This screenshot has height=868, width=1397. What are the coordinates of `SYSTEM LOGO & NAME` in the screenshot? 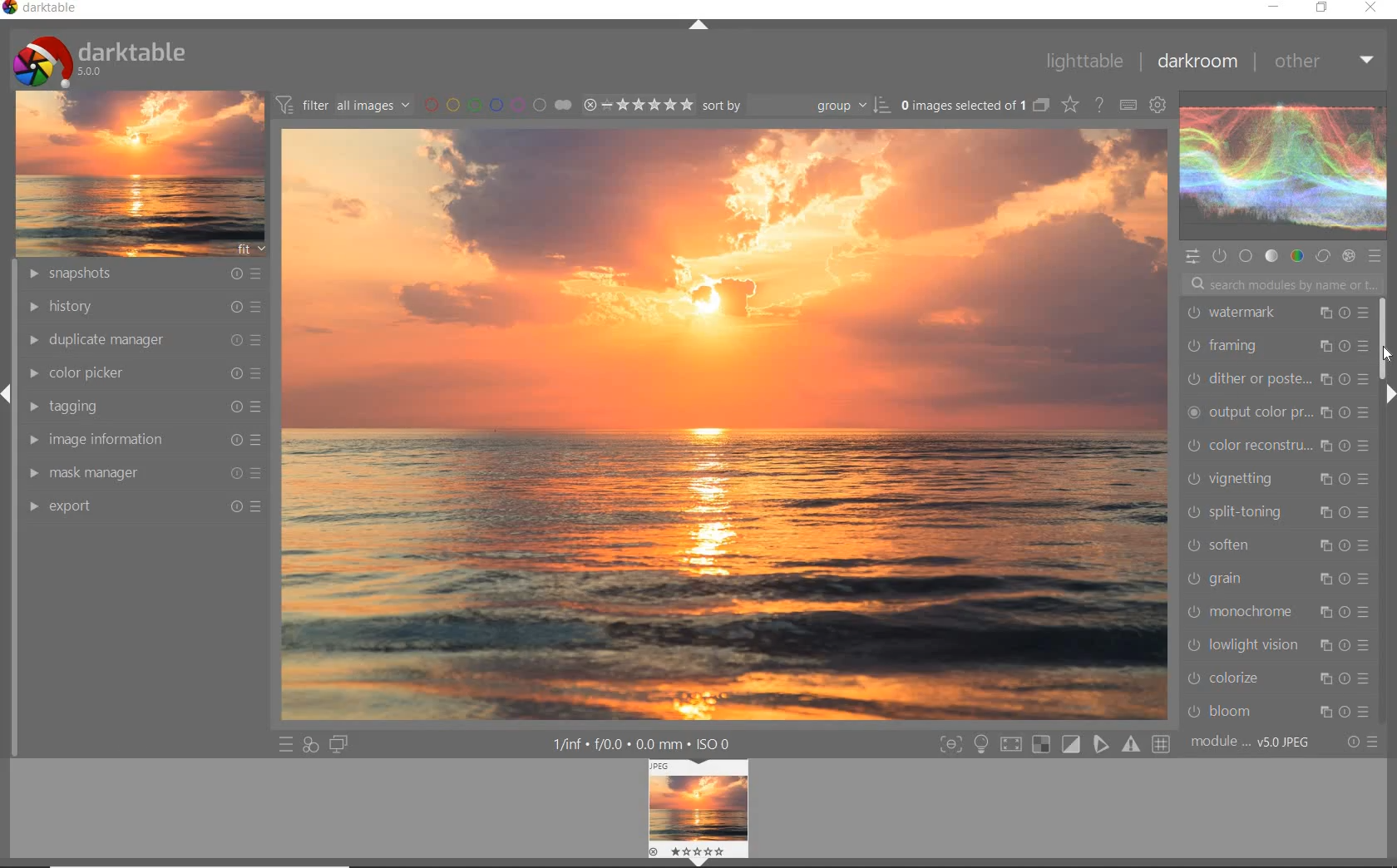 It's located at (99, 57).